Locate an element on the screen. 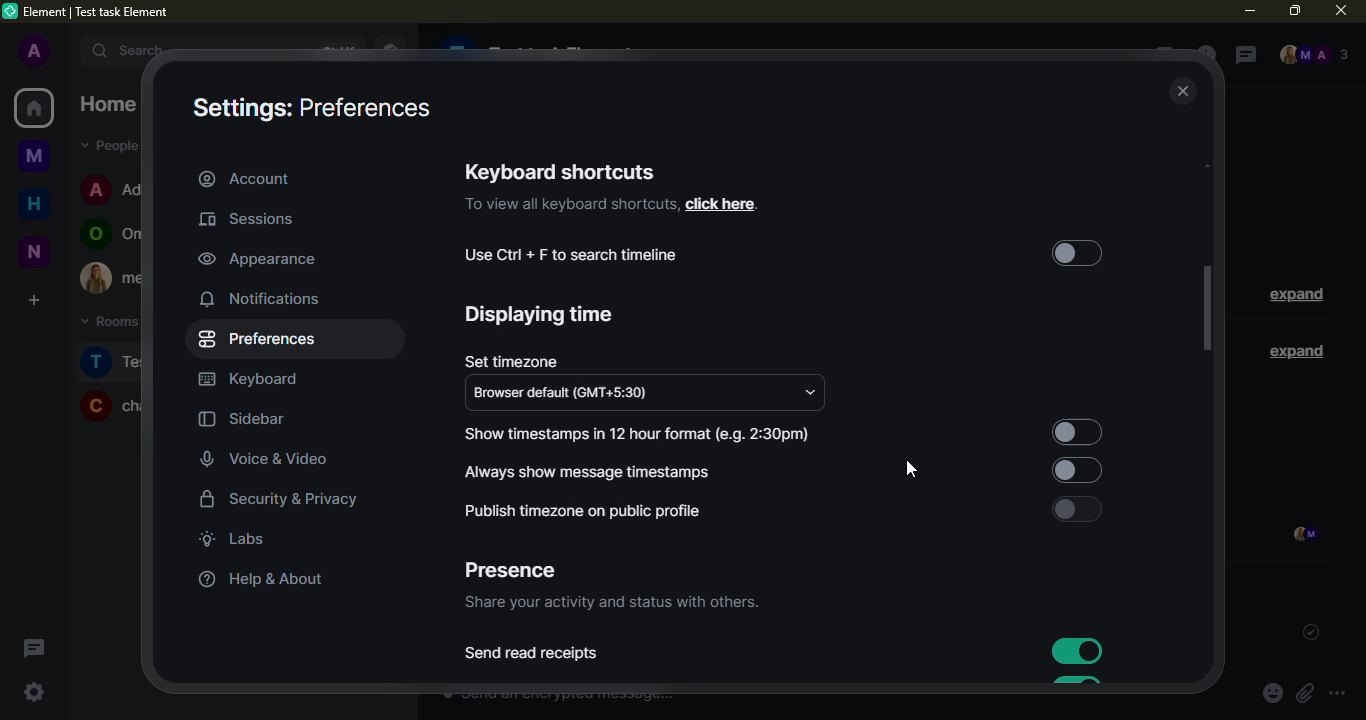  seen is located at coordinates (1302, 536).